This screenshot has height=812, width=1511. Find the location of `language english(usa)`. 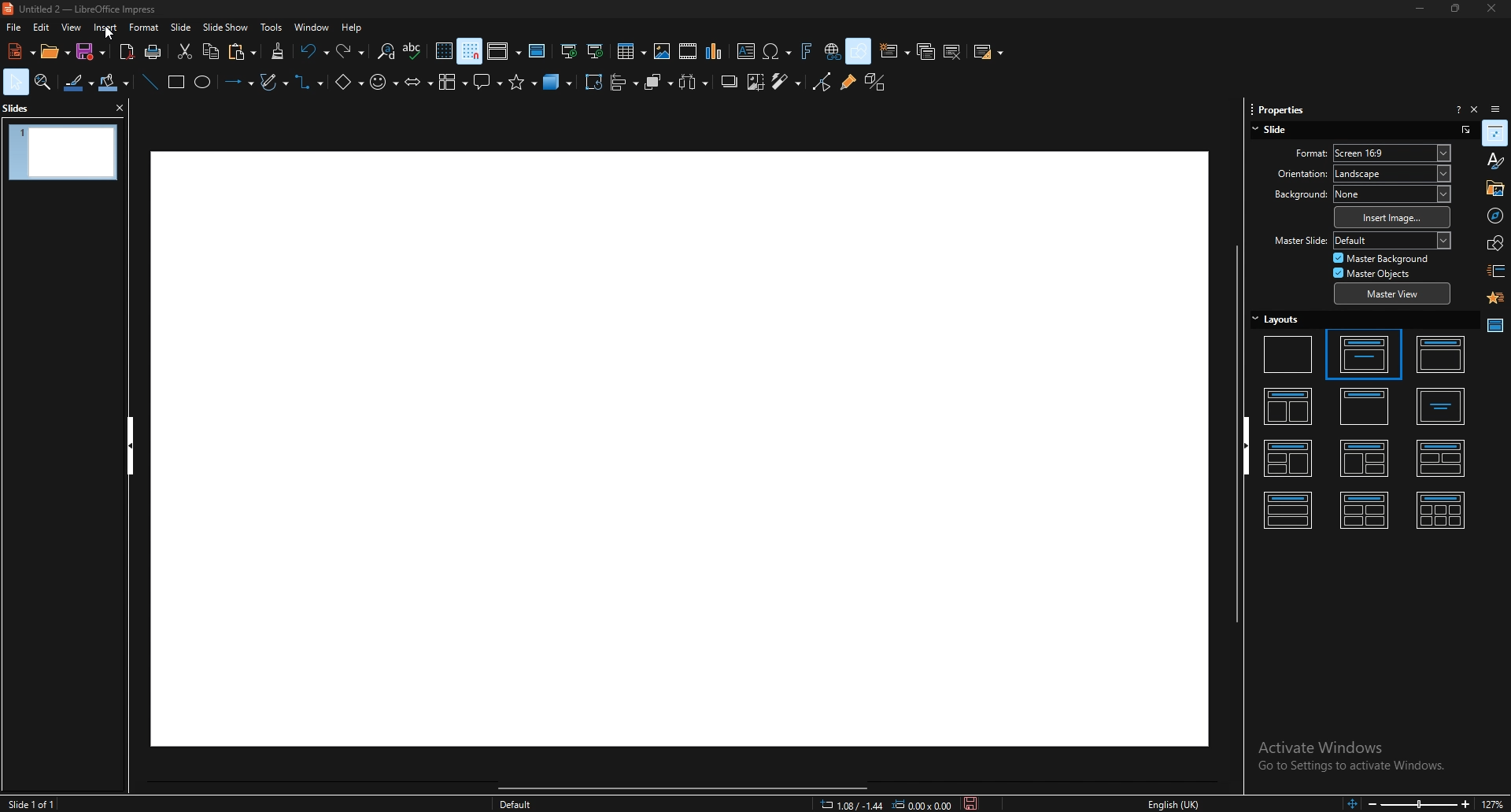

language english(usa) is located at coordinates (1173, 803).